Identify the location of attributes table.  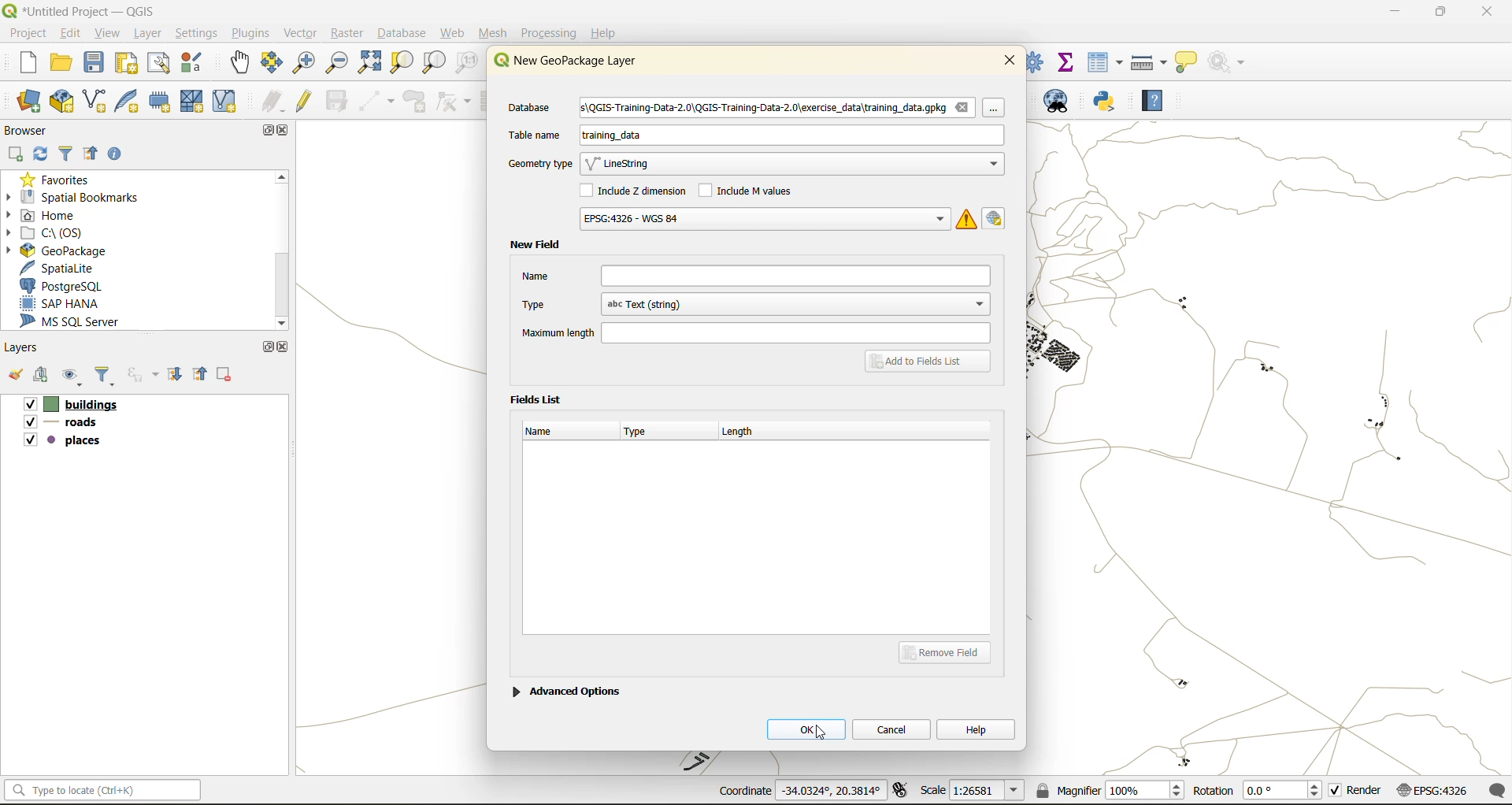
(1106, 62).